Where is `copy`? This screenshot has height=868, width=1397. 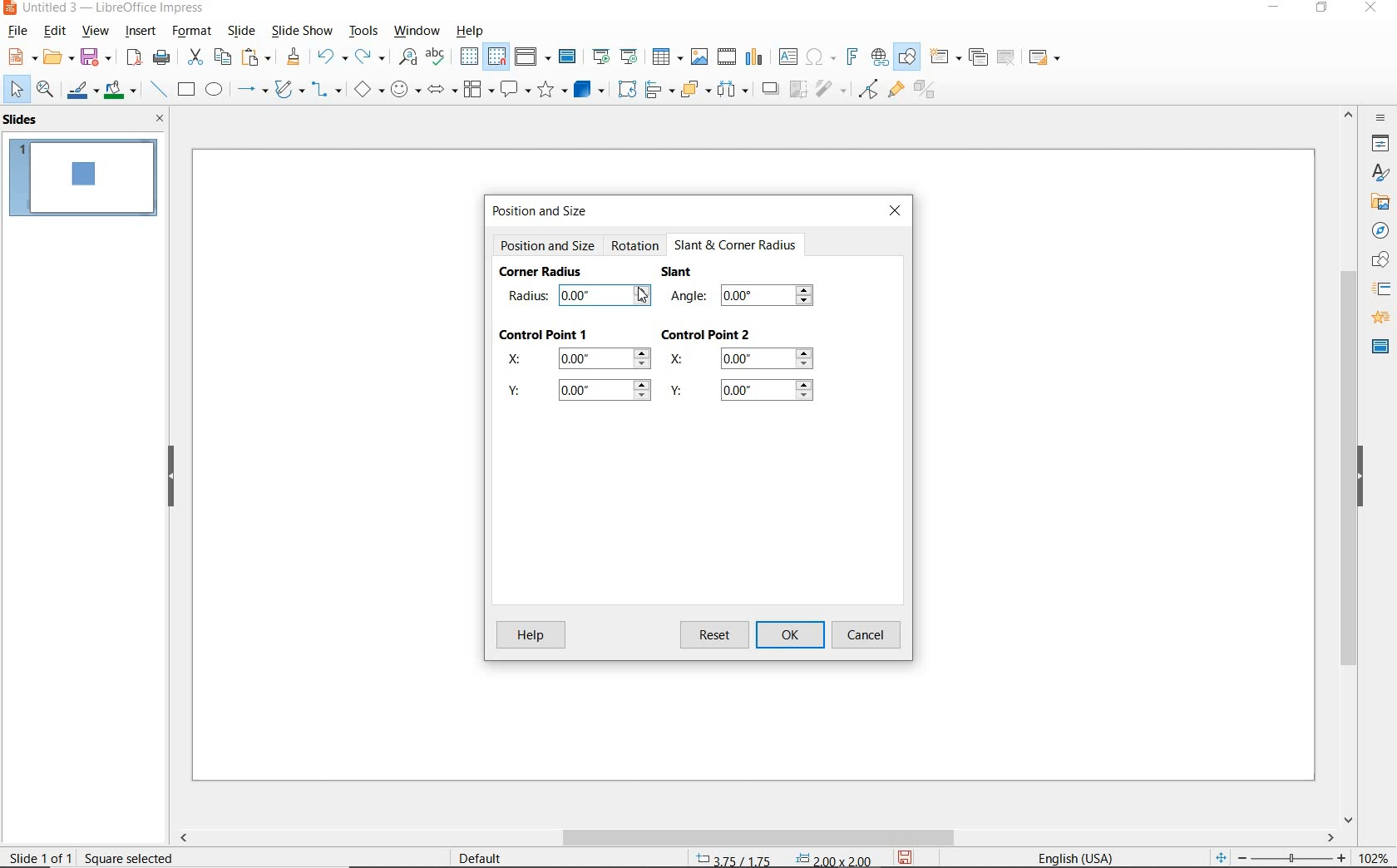
copy is located at coordinates (220, 56).